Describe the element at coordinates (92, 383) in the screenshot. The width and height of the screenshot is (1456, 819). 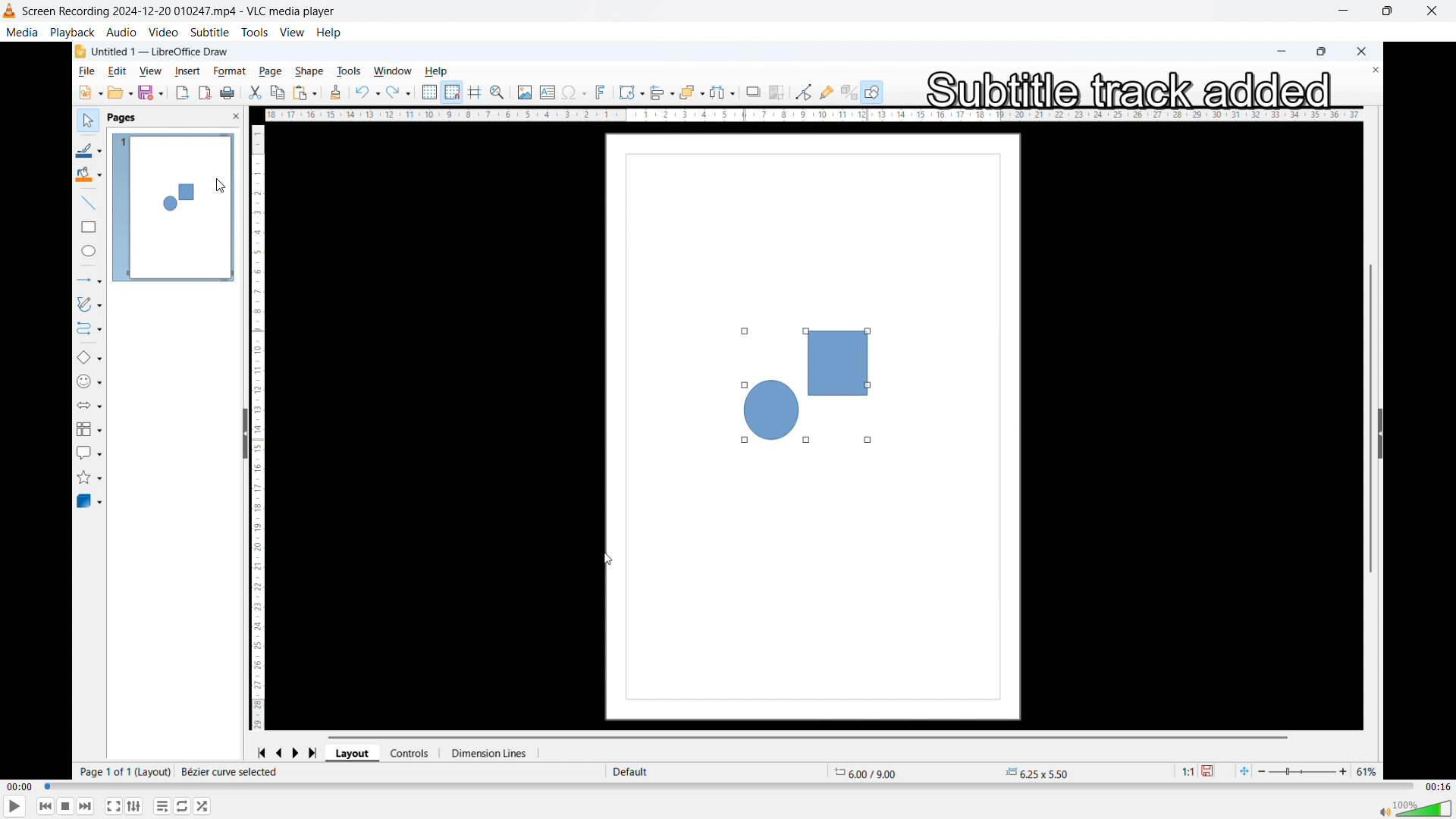
I see `symbol shapes` at that location.